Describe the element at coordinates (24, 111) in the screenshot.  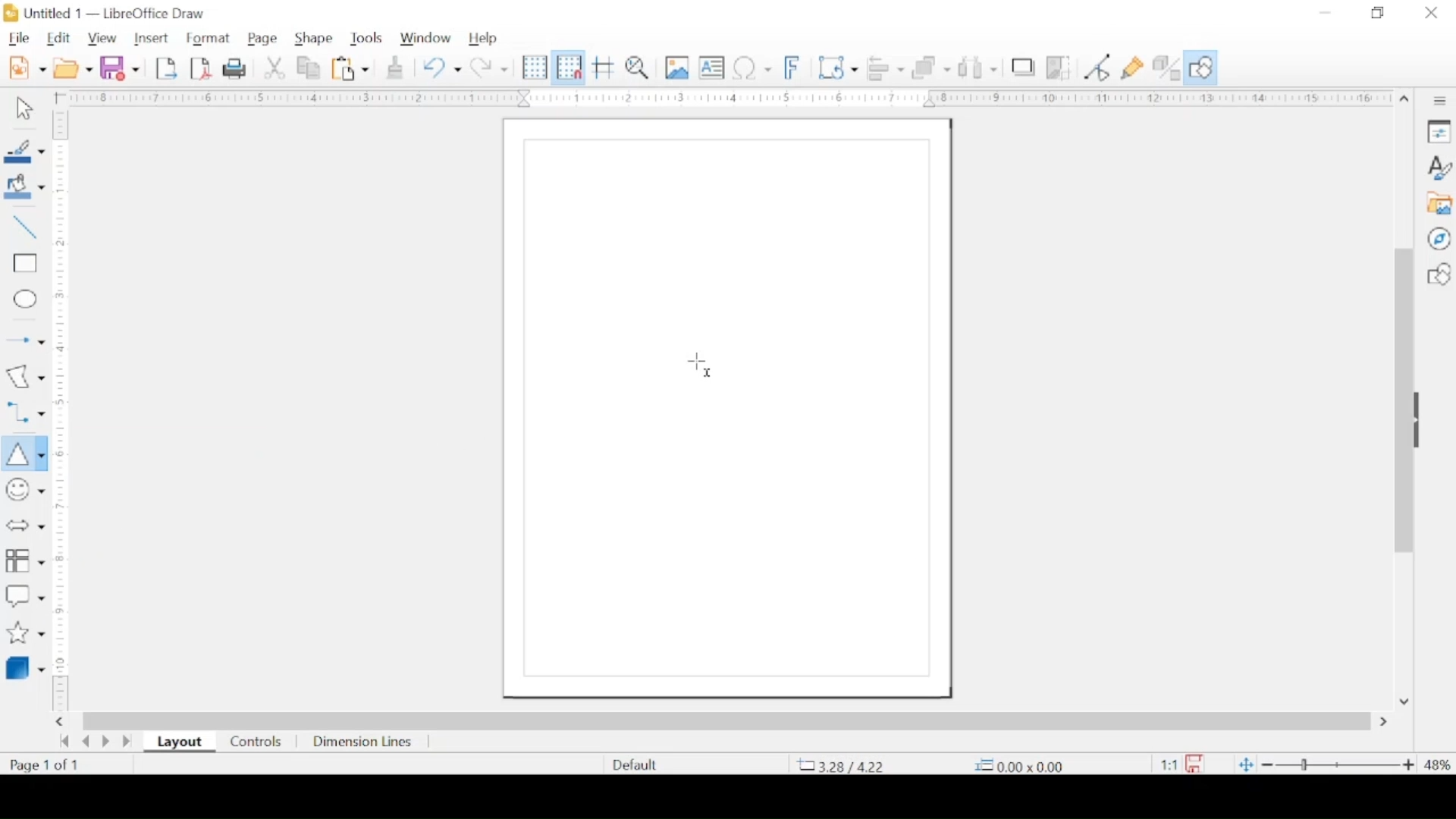
I see `select` at that location.